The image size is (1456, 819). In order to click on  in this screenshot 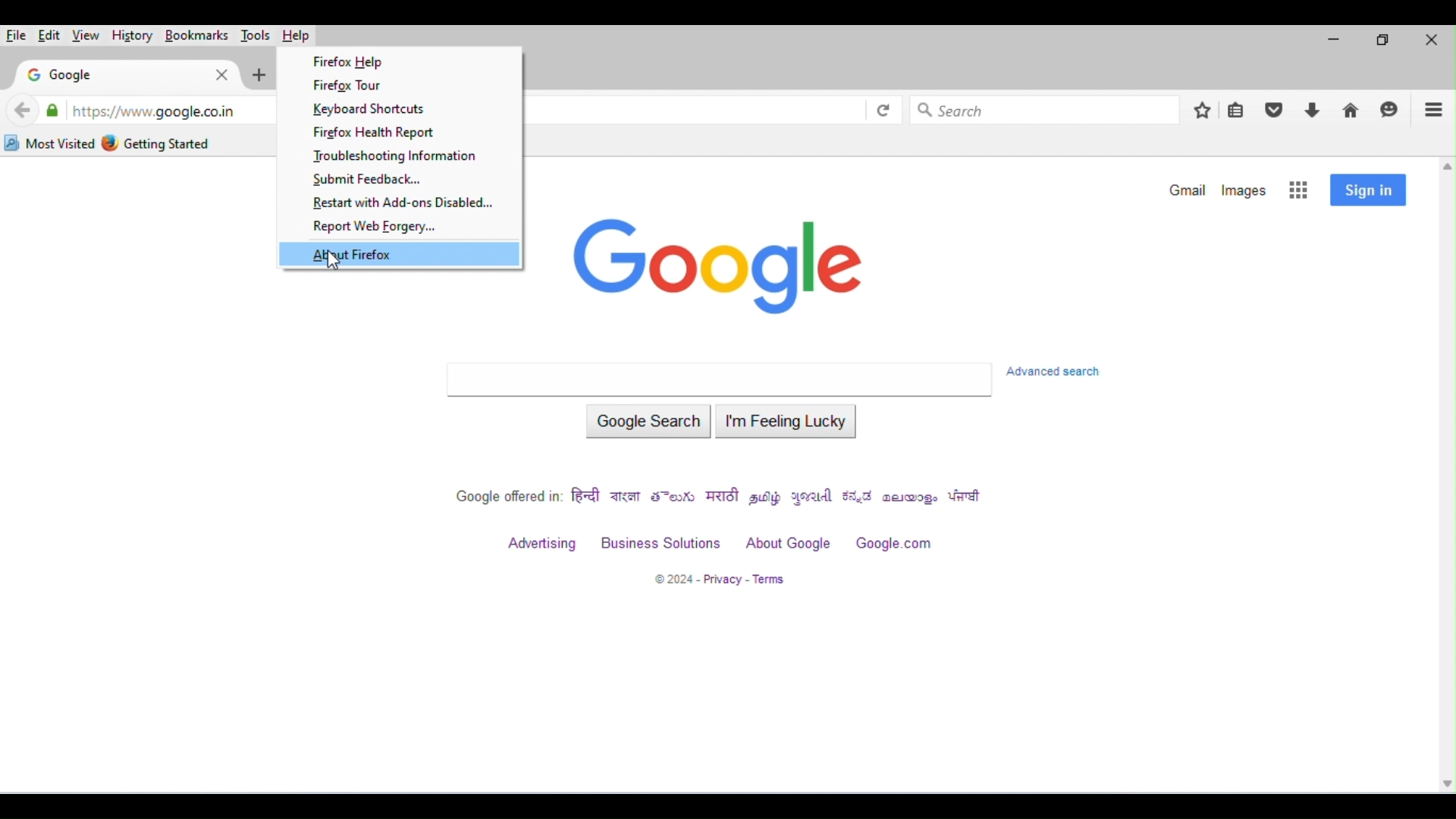, I will do `click(860, 498)`.